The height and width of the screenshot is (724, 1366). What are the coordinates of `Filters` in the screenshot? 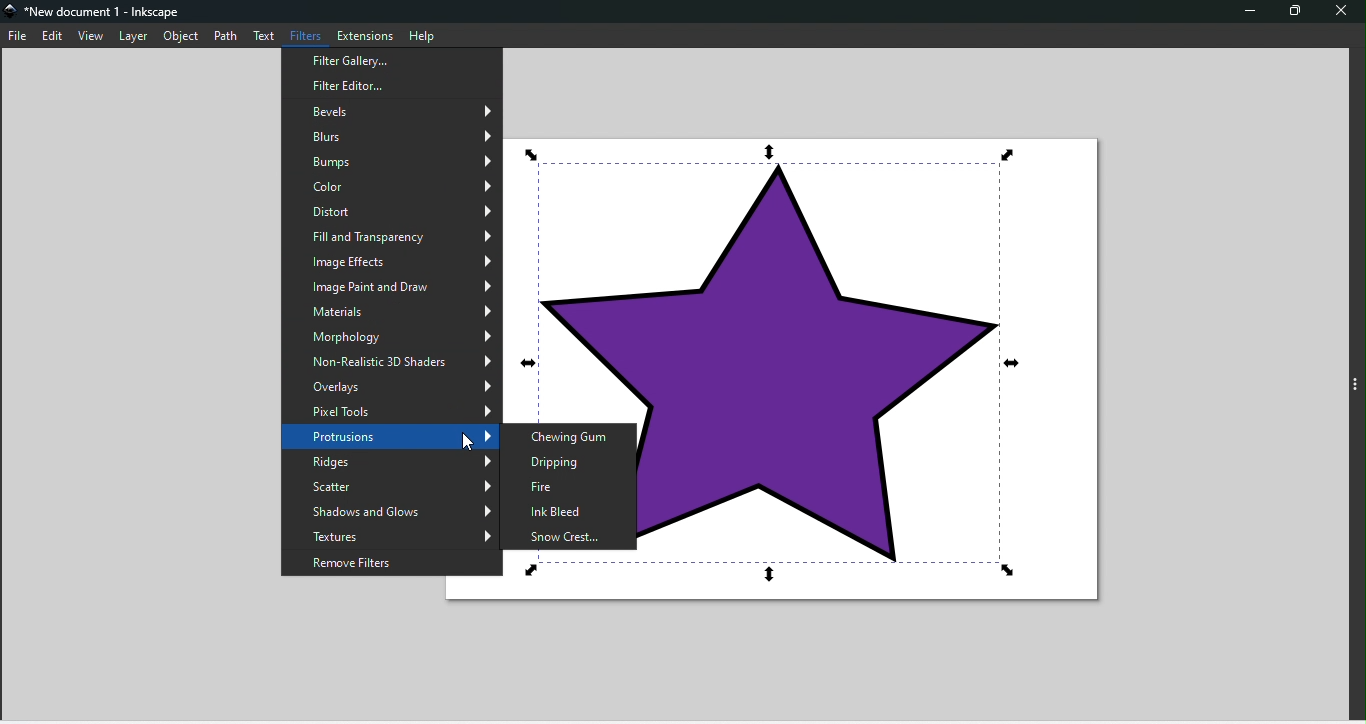 It's located at (309, 35).